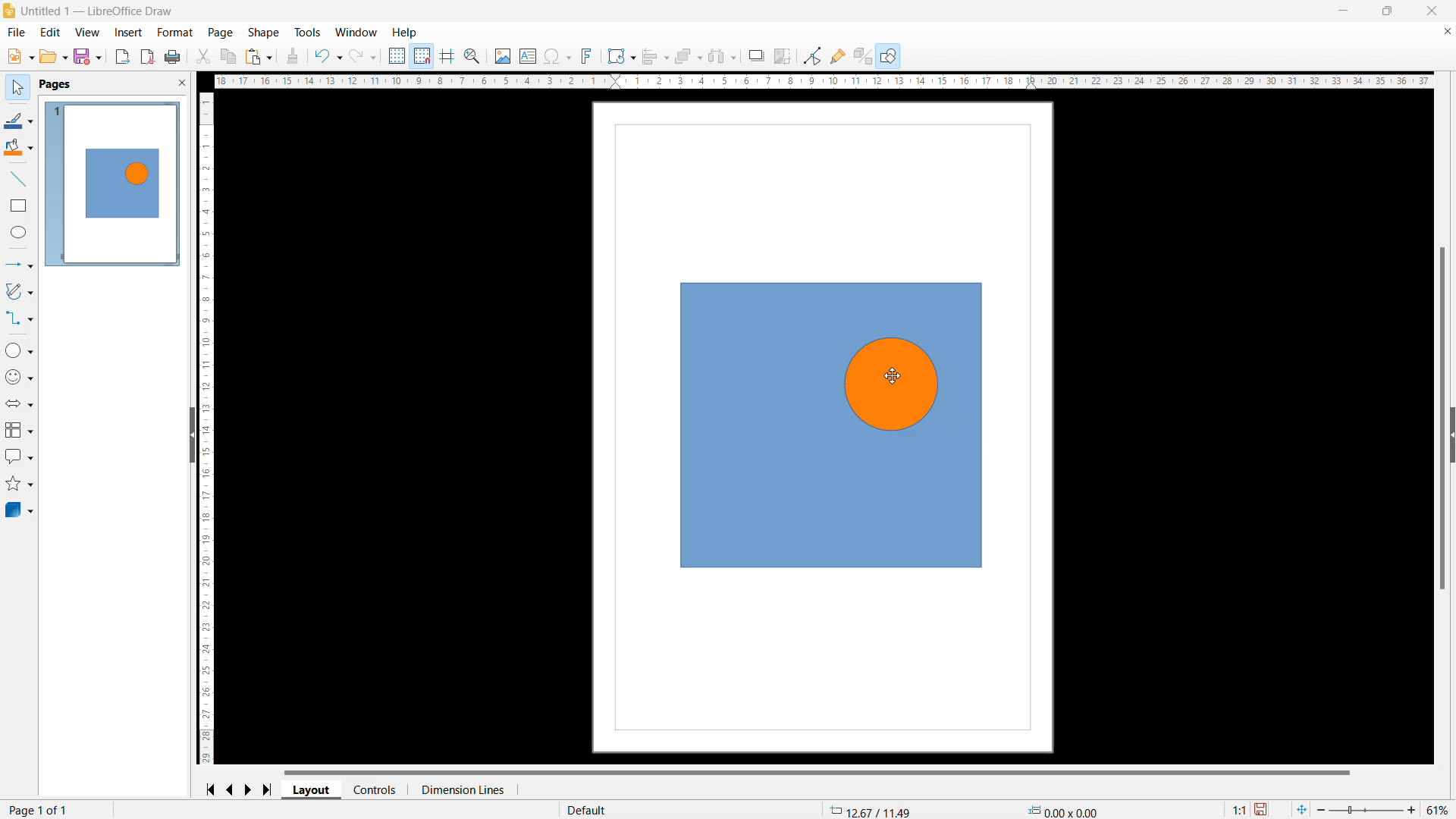  Describe the element at coordinates (872, 808) in the screenshot. I see `12.67/11.49` at that location.